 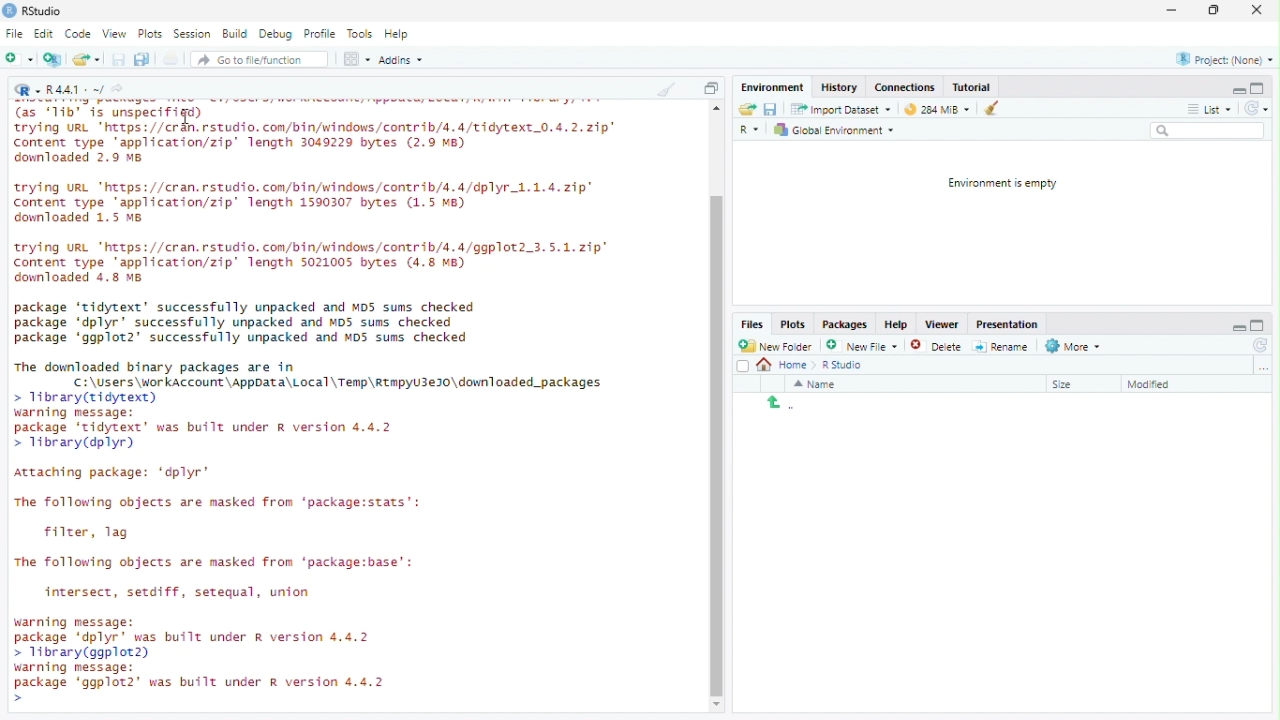 What do you see at coordinates (14, 33) in the screenshot?
I see `File` at bounding box center [14, 33].